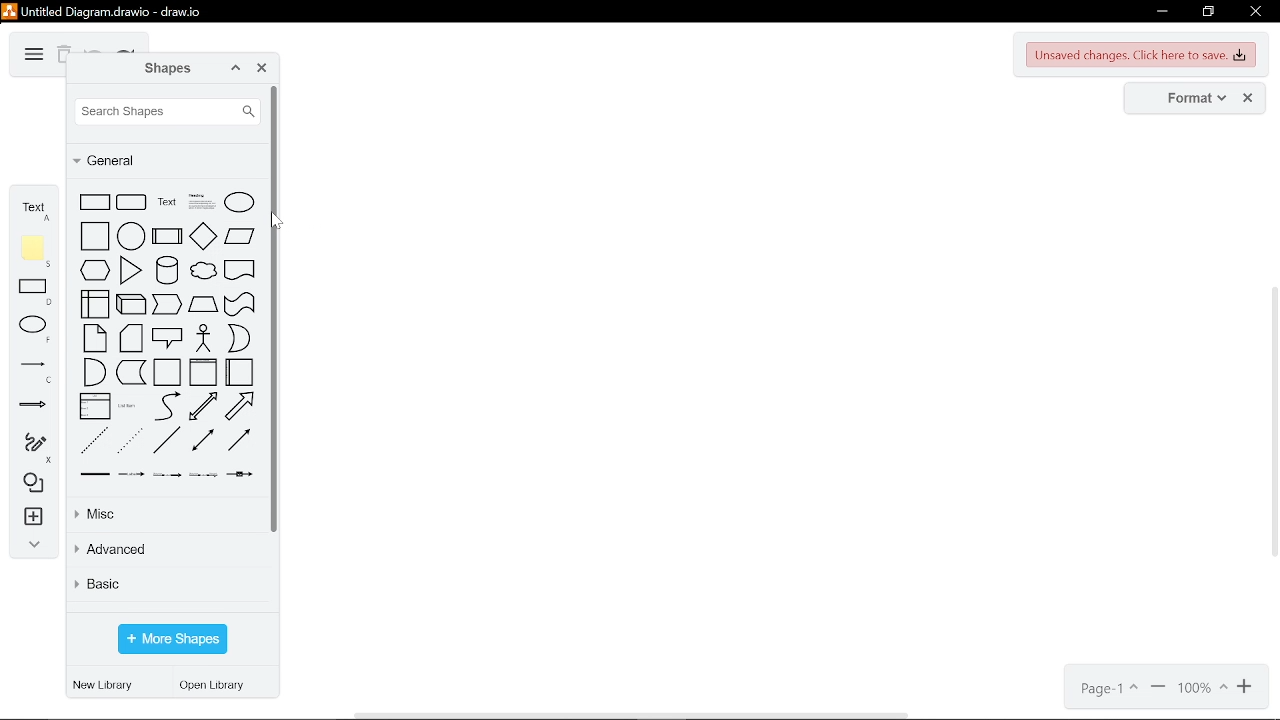 Image resolution: width=1280 pixels, height=720 pixels. I want to click on close, so click(1254, 13).